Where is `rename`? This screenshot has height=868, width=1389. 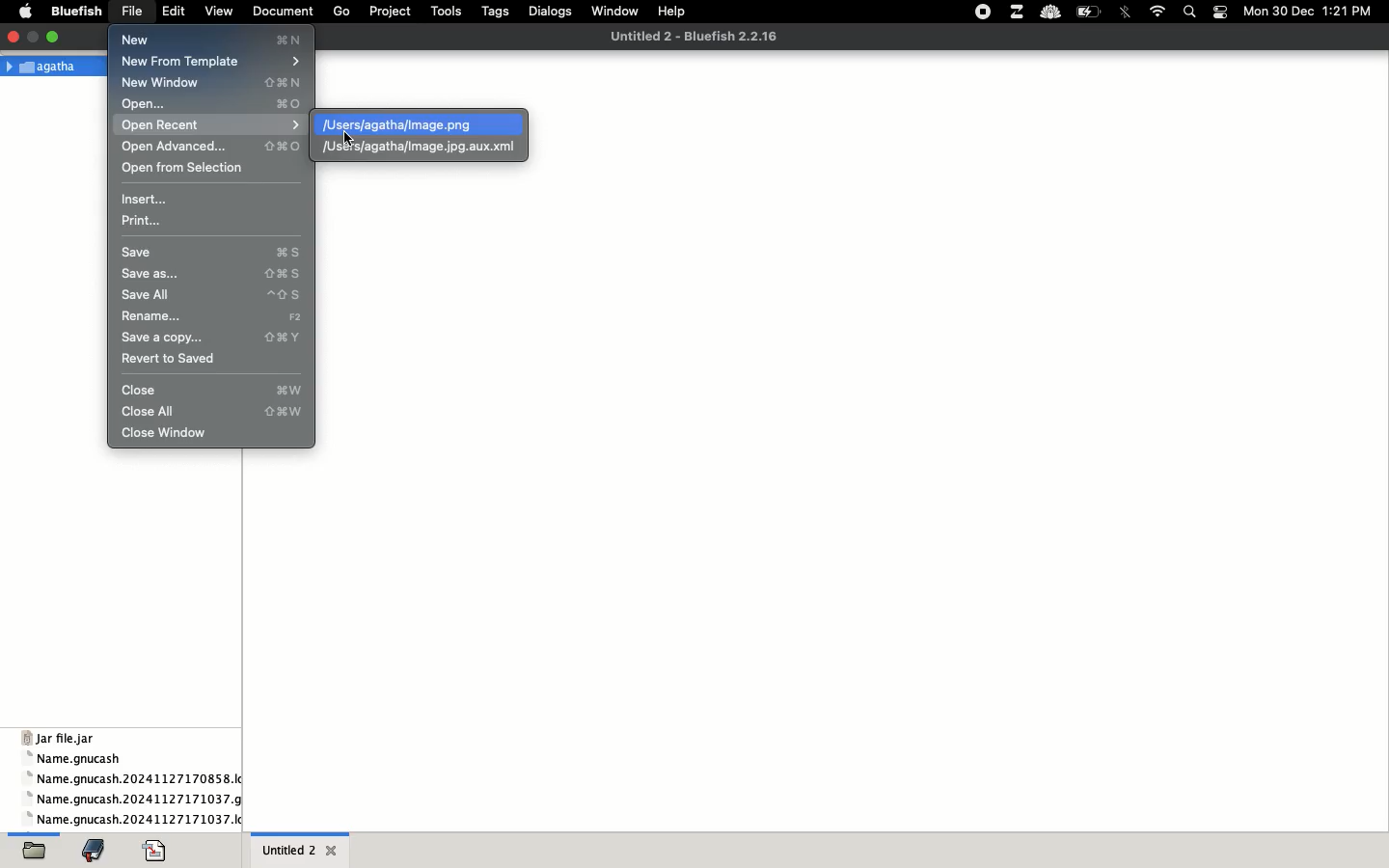 rename is located at coordinates (212, 315).